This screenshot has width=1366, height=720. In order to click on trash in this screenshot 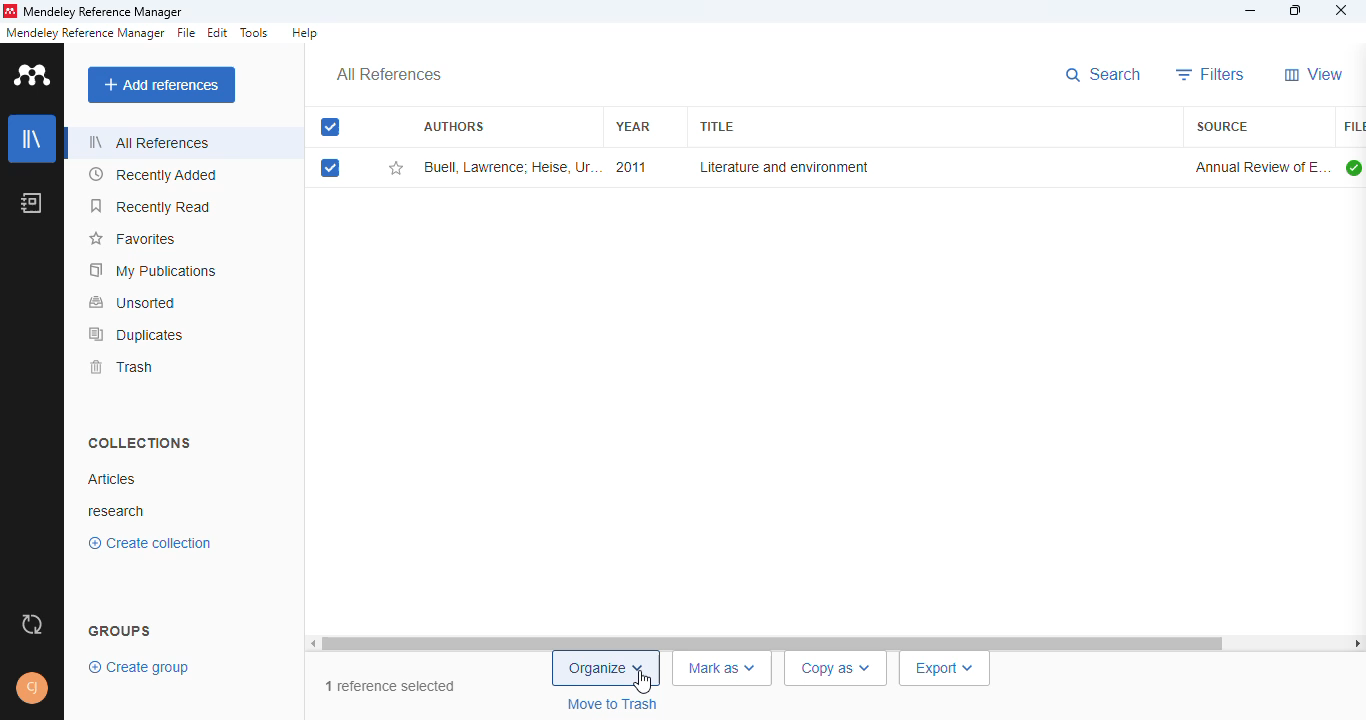, I will do `click(122, 367)`.